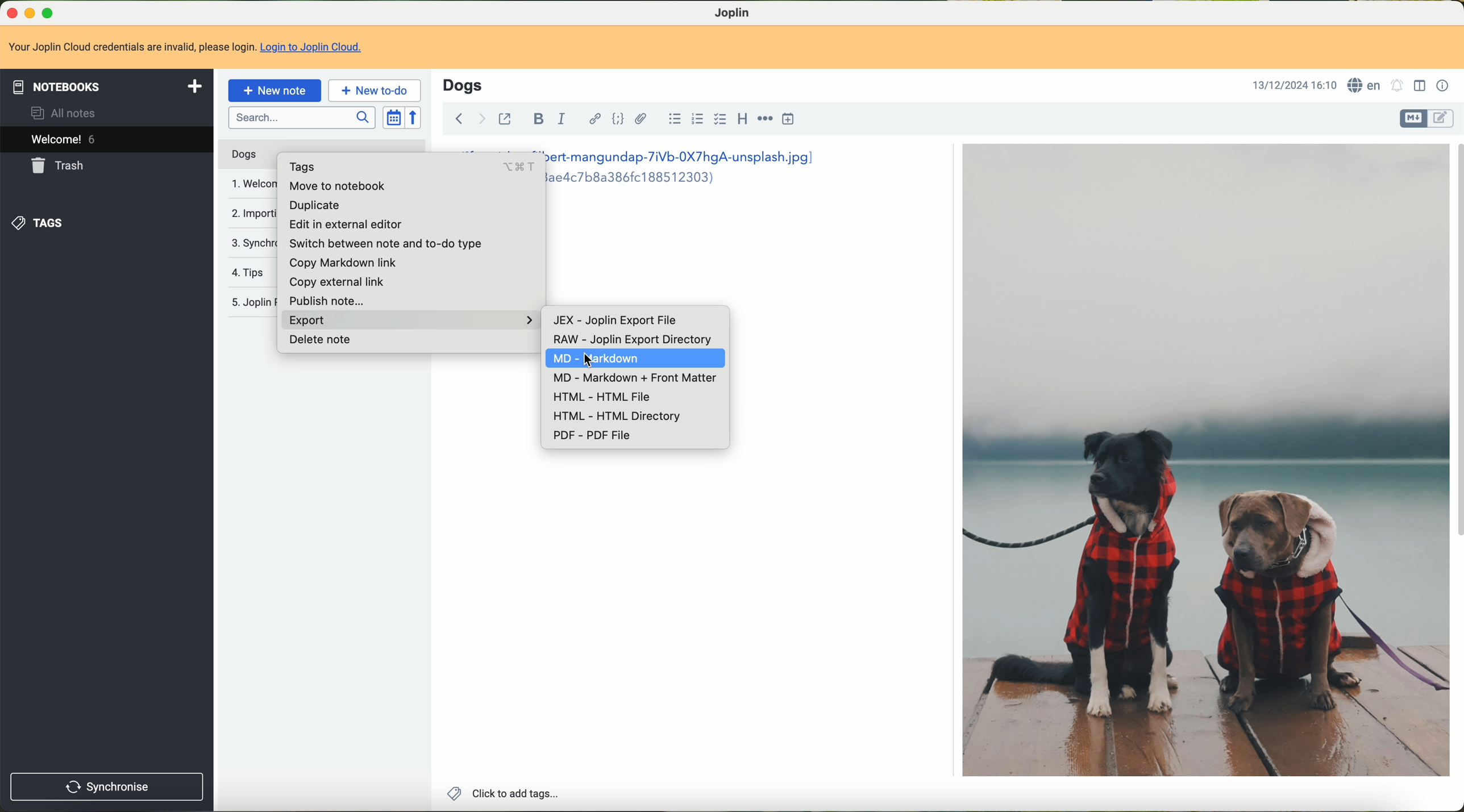 The width and height of the screenshot is (1464, 812). Describe the element at coordinates (1365, 85) in the screenshot. I see `language` at that location.